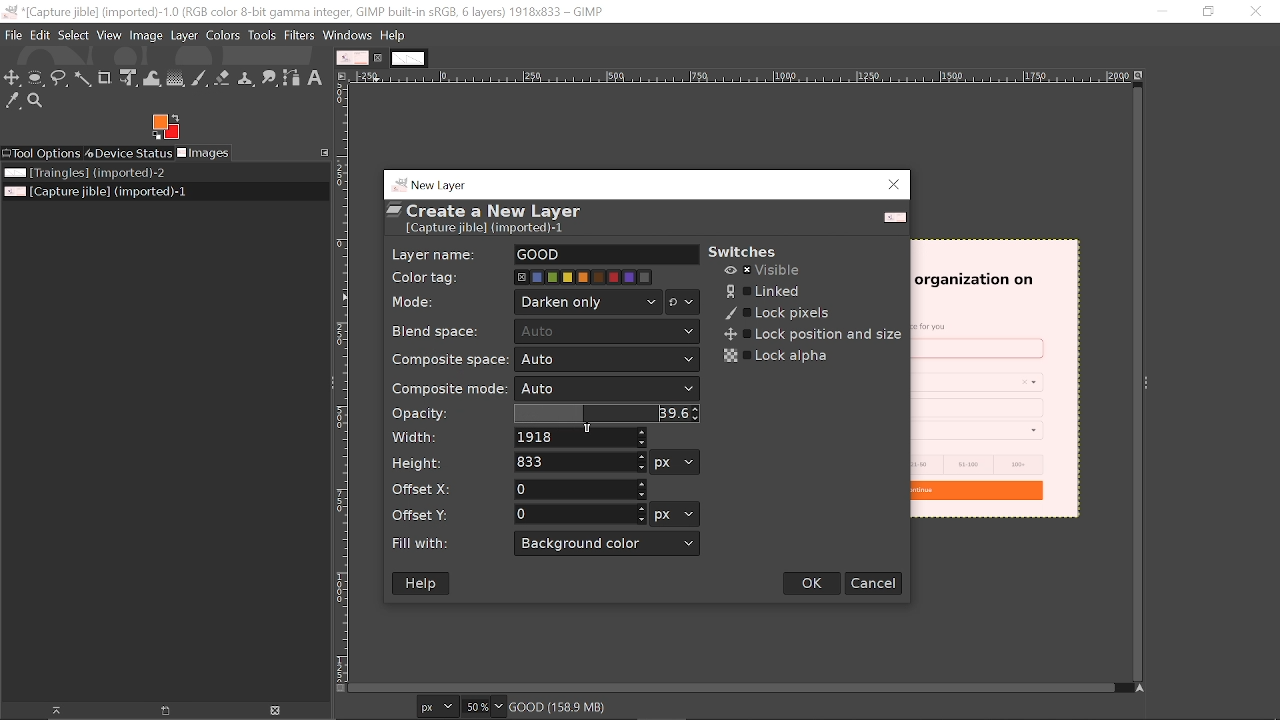  What do you see at coordinates (13, 35) in the screenshot?
I see `File` at bounding box center [13, 35].